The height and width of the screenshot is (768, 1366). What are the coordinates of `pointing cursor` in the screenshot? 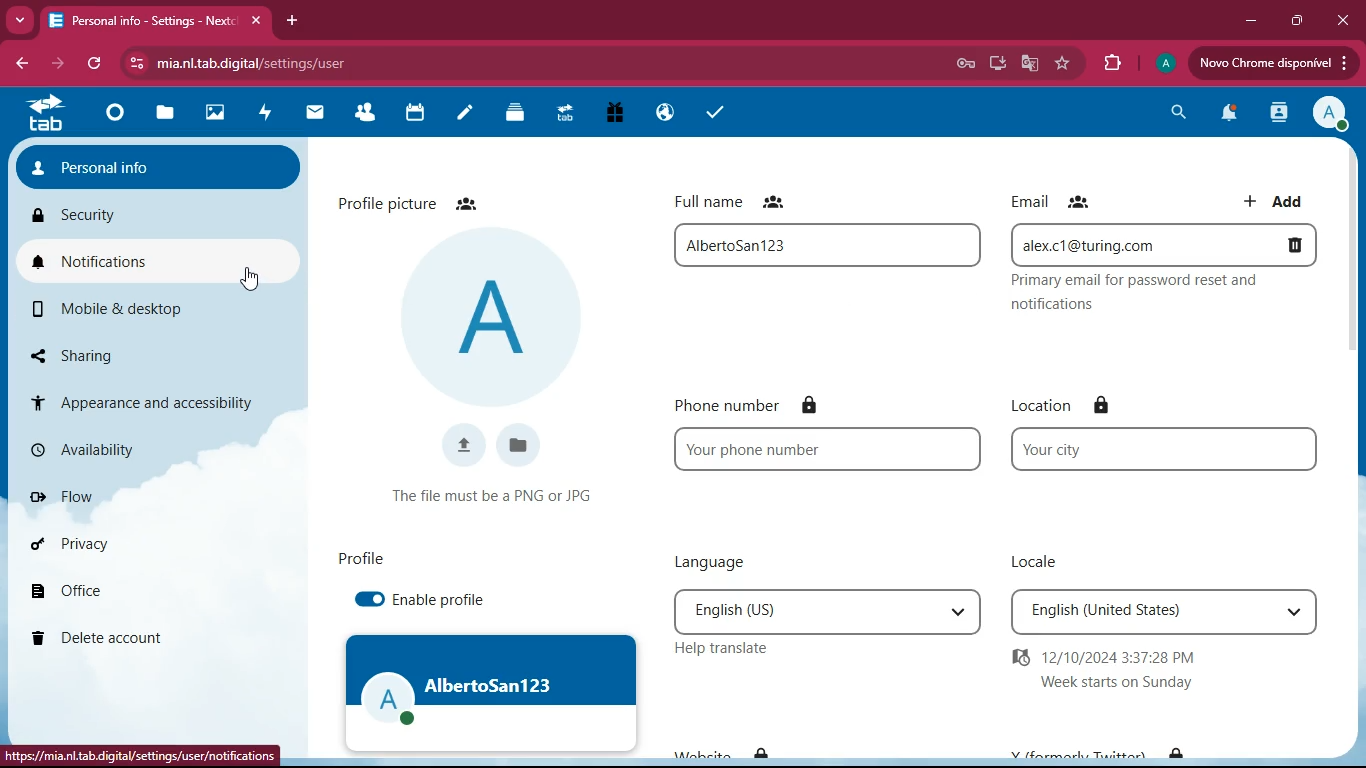 It's located at (252, 279).